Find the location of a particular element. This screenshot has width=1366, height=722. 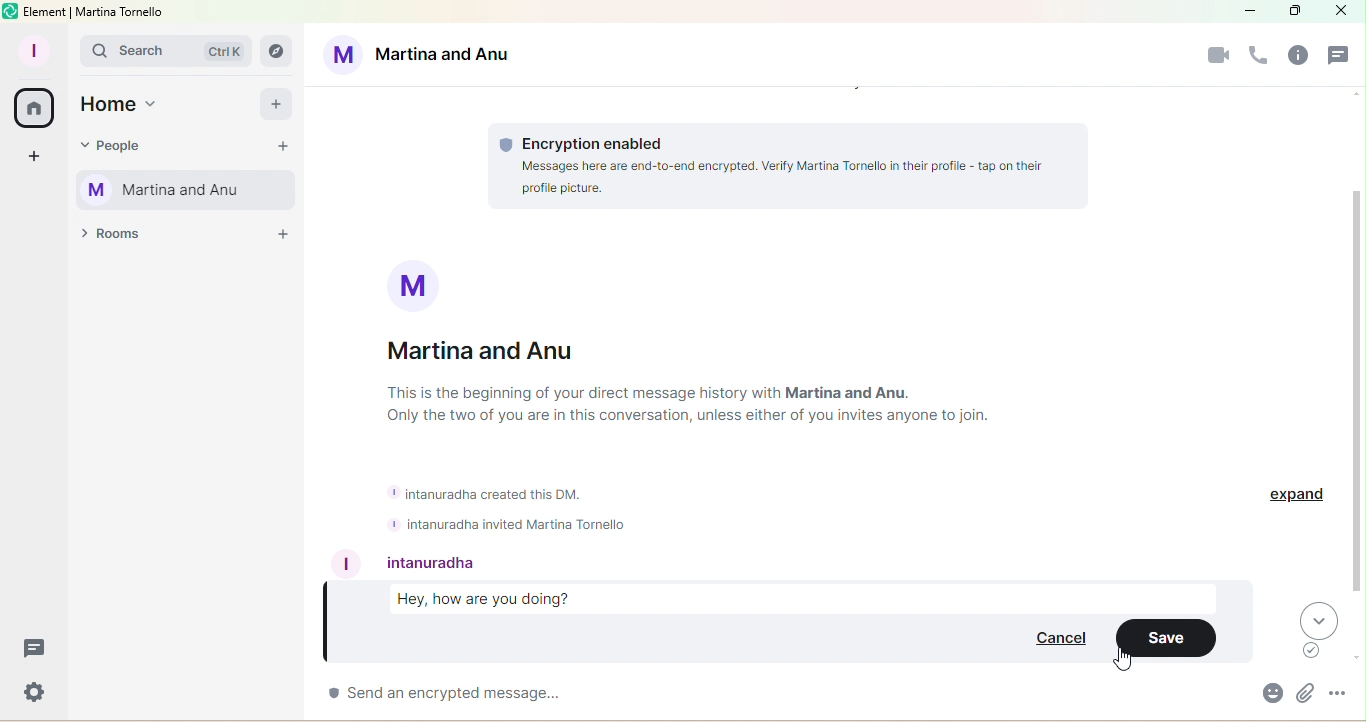

intanuradha created this DM. is located at coordinates (492, 494).